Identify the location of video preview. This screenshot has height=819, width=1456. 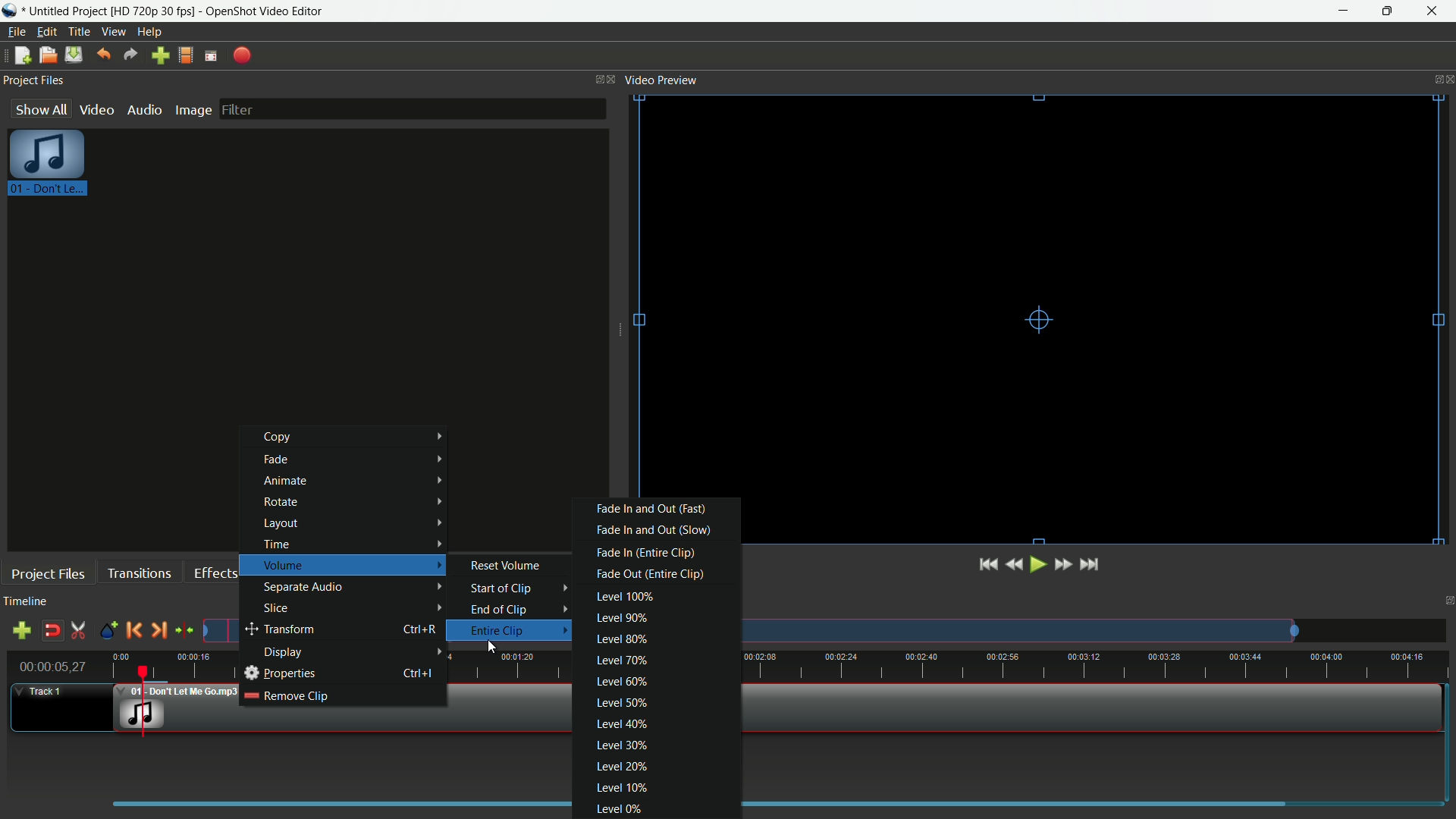
(1041, 295).